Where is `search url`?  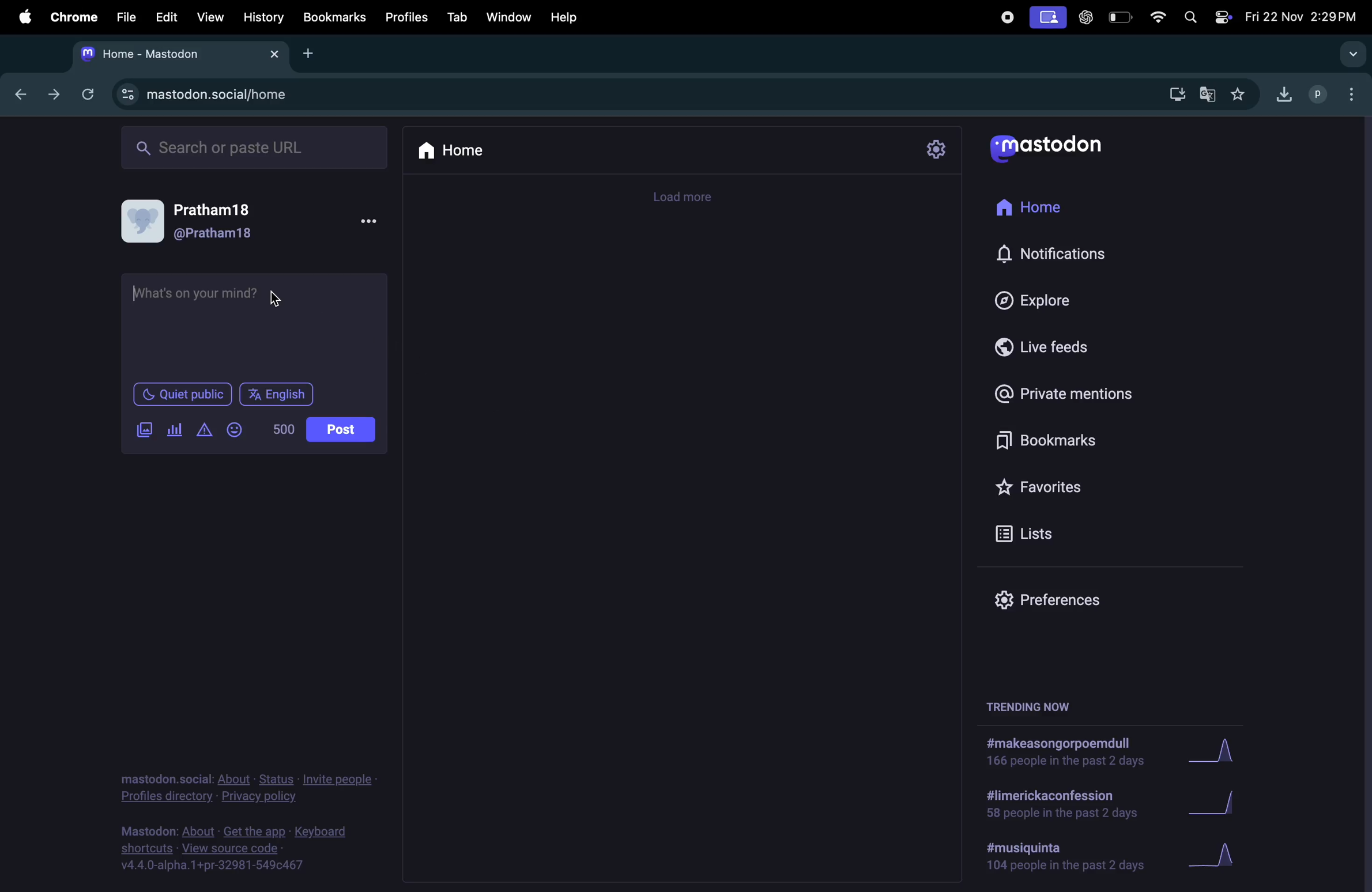
search url is located at coordinates (237, 97).